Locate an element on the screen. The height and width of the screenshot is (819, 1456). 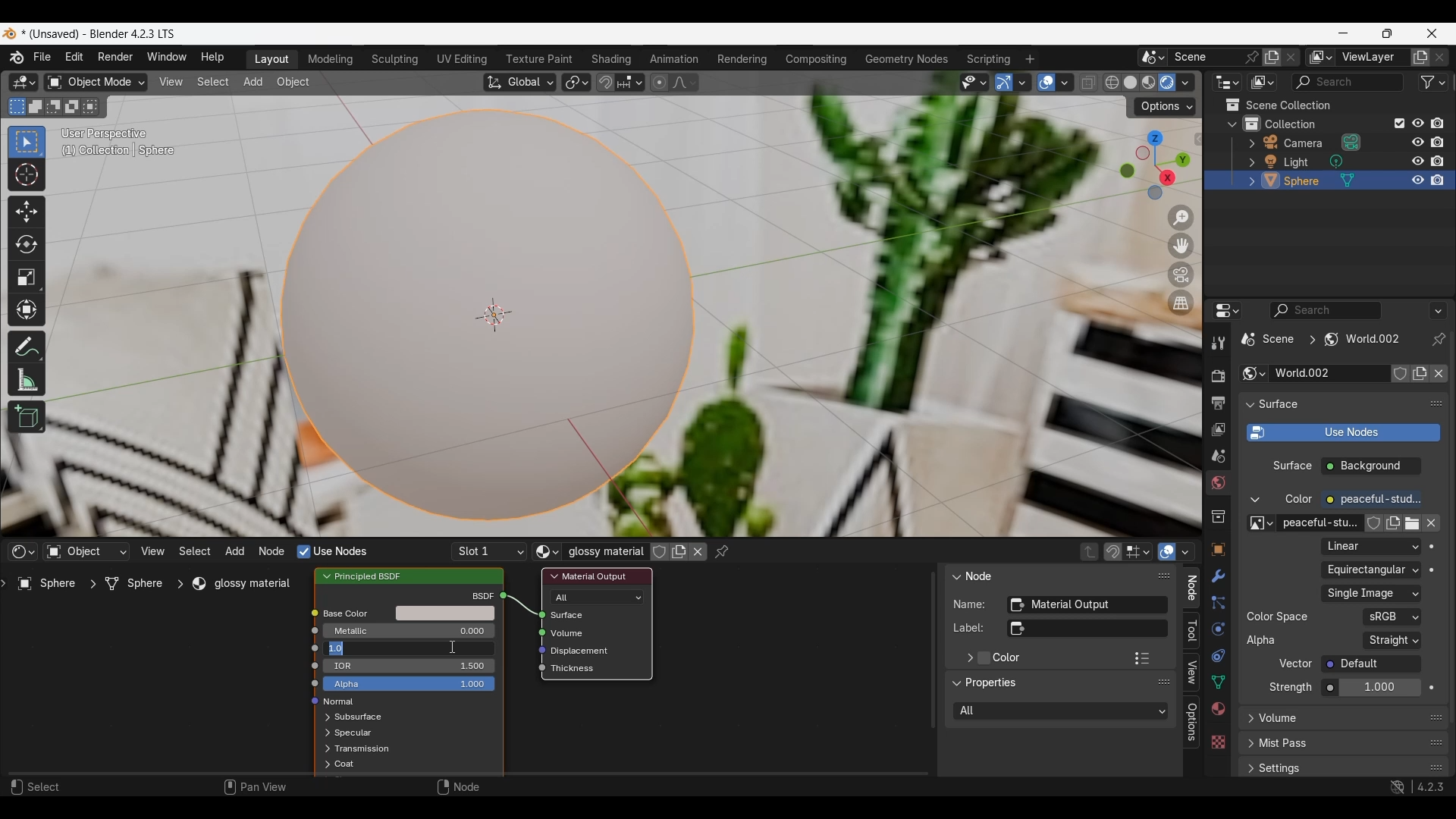
Scale is located at coordinates (27, 278).